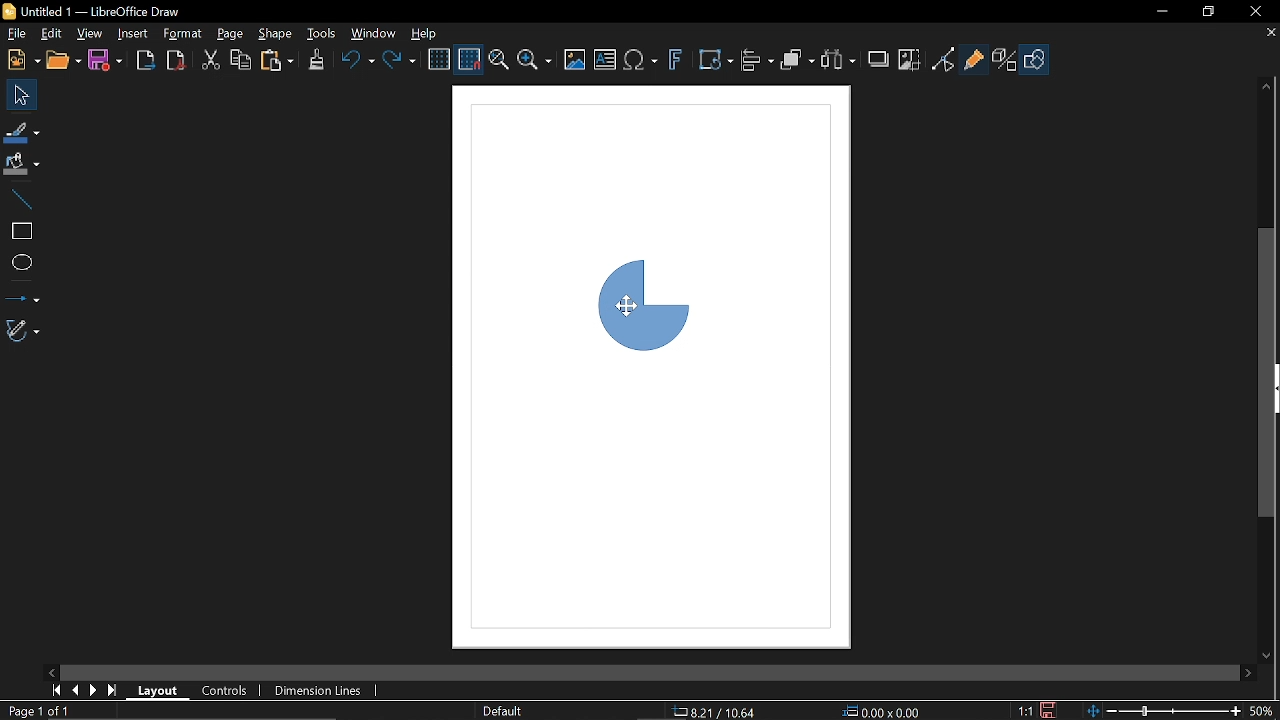 Image resolution: width=1280 pixels, height=720 pixels. Describe the element at coordinates (879, 63) in the screenshot. I see `Shadow` at that location.